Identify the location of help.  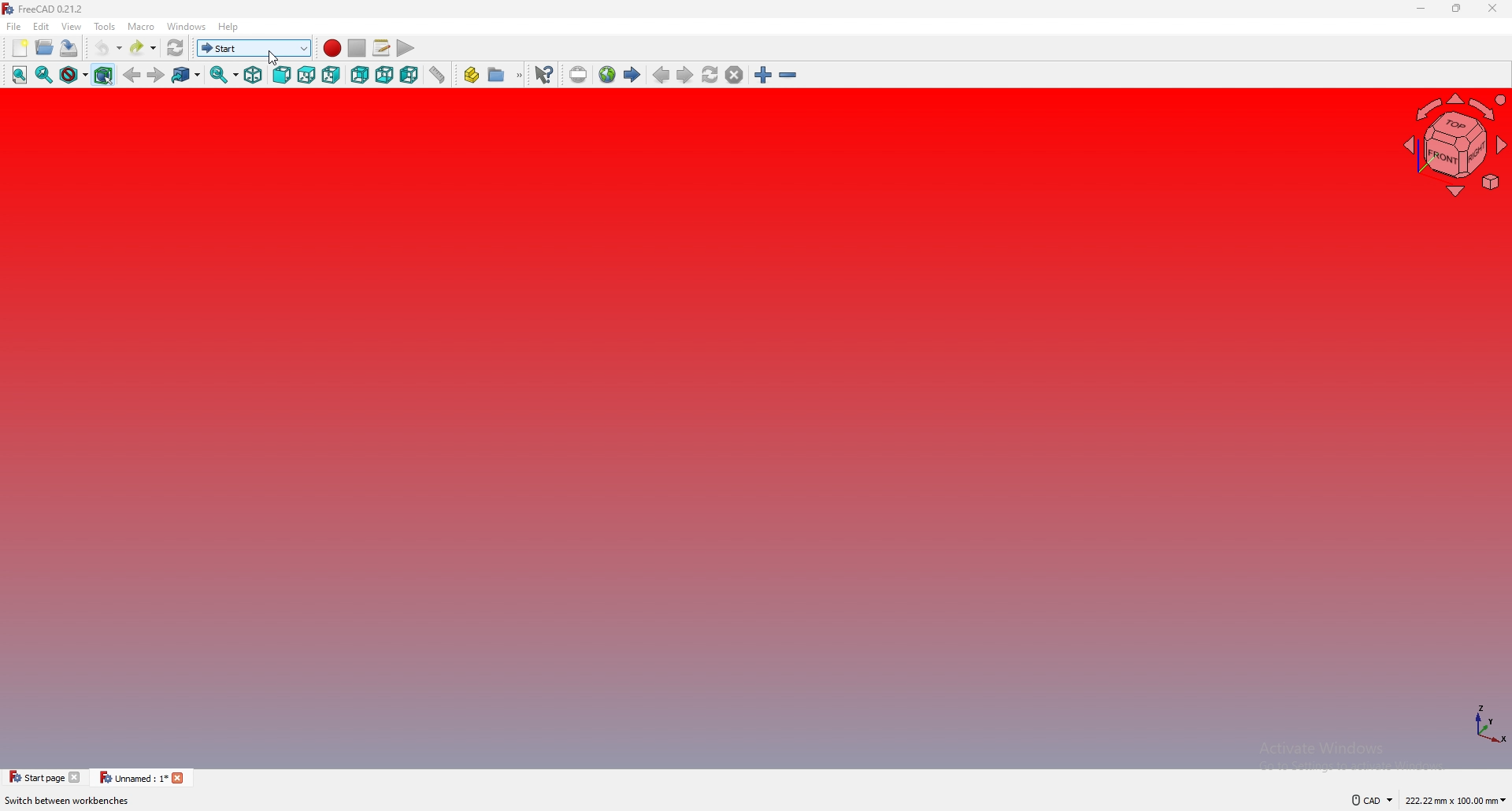
(228, 26).